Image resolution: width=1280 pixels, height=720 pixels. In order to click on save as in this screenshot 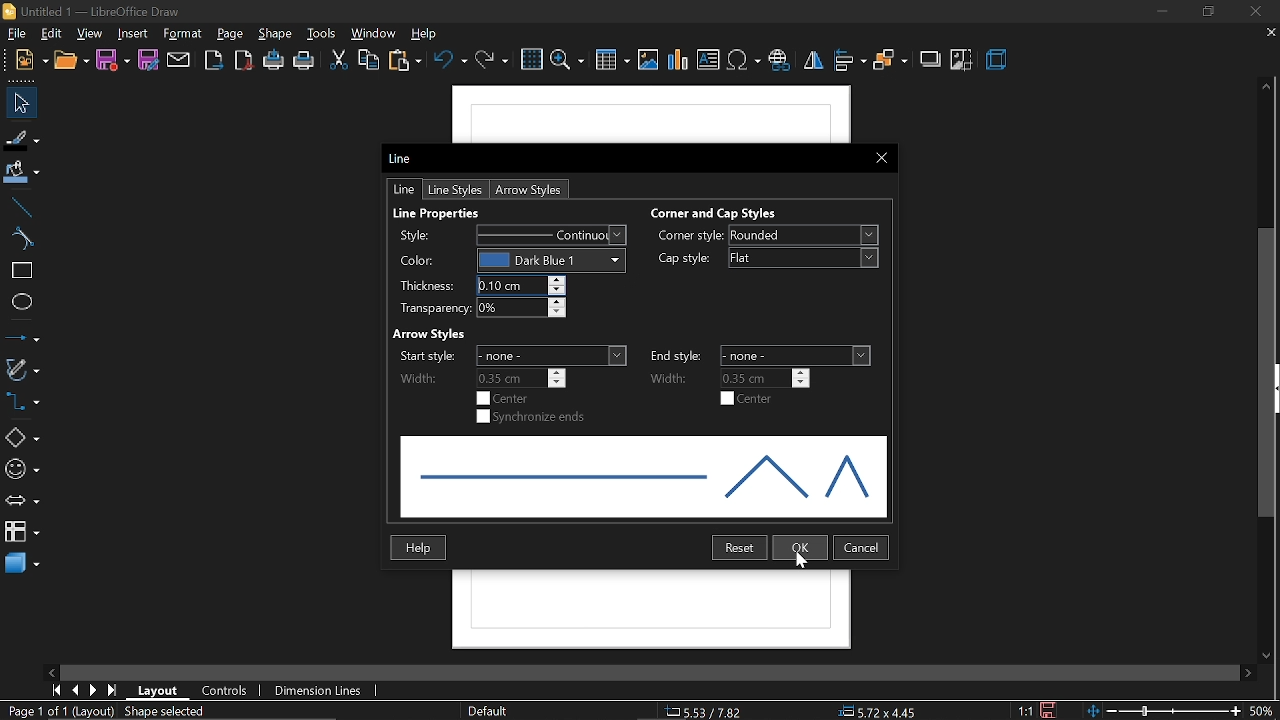, I will do `click(147, 61)`.